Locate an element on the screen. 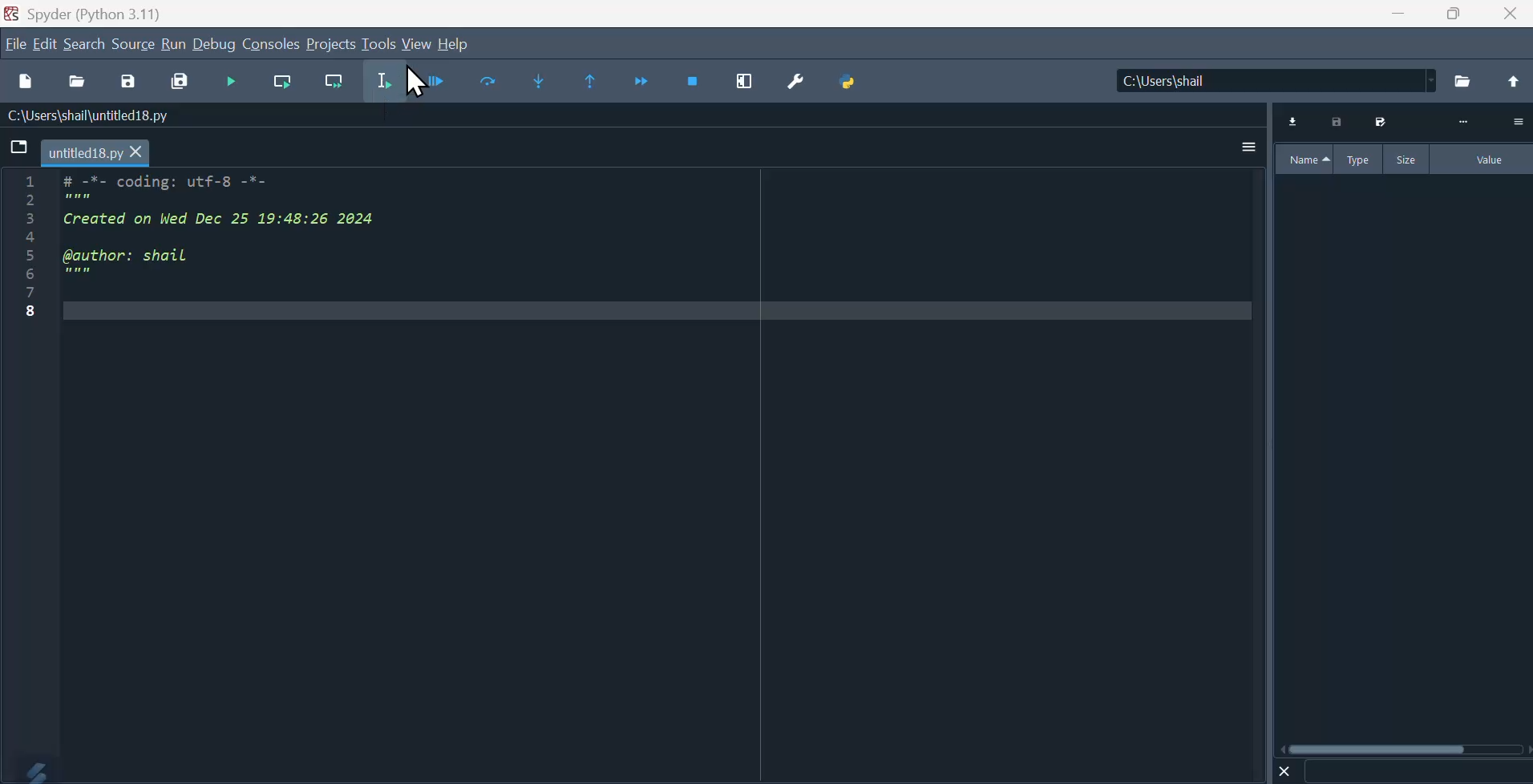 This screenshot has width=1533, height=784. Run is located at coordinates (173, 43).